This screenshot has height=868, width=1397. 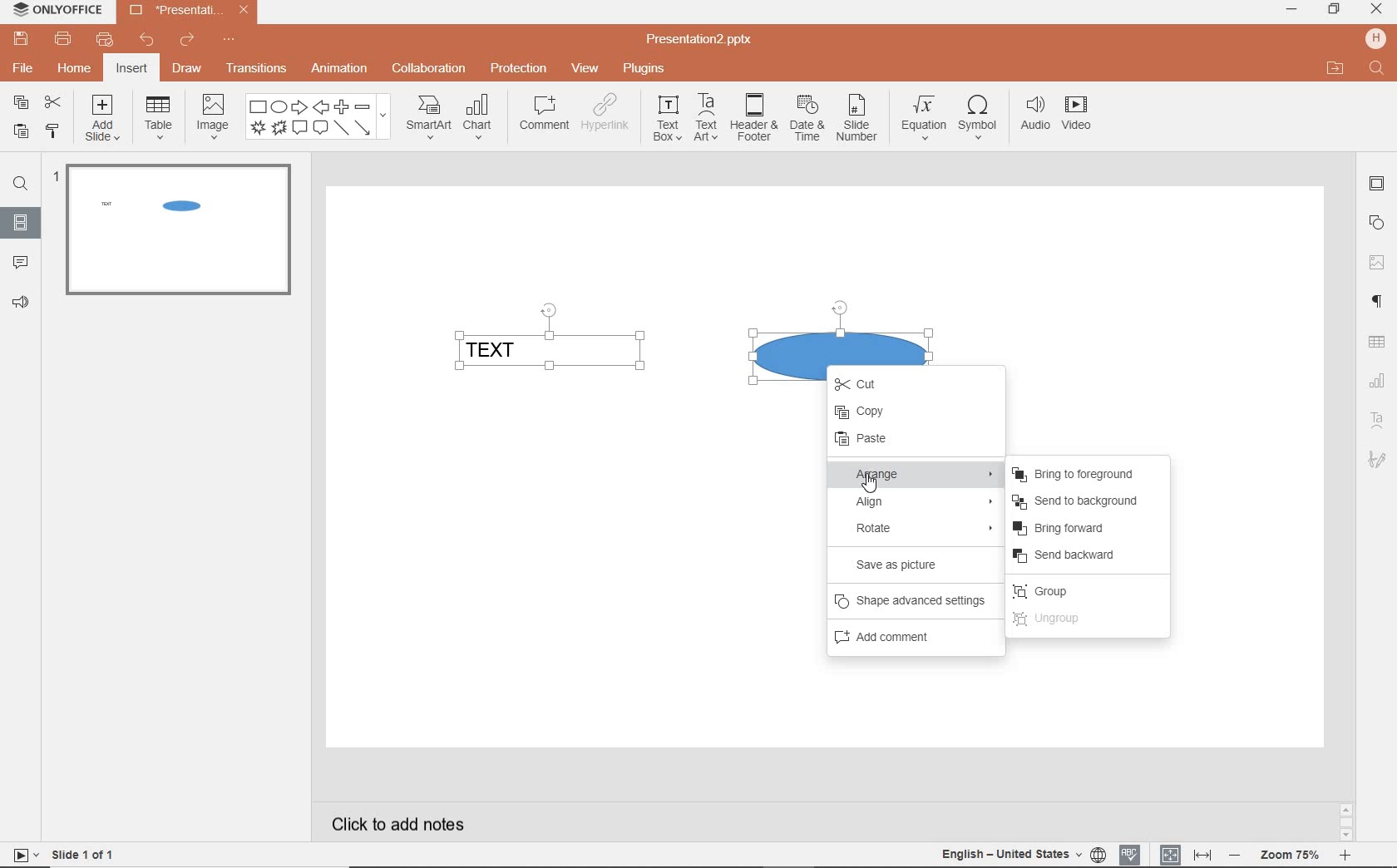 What do you see at coordinates (700, 40) in the screenshot?
I see `Presentation2.pptx` at bounding box center [700, 40].